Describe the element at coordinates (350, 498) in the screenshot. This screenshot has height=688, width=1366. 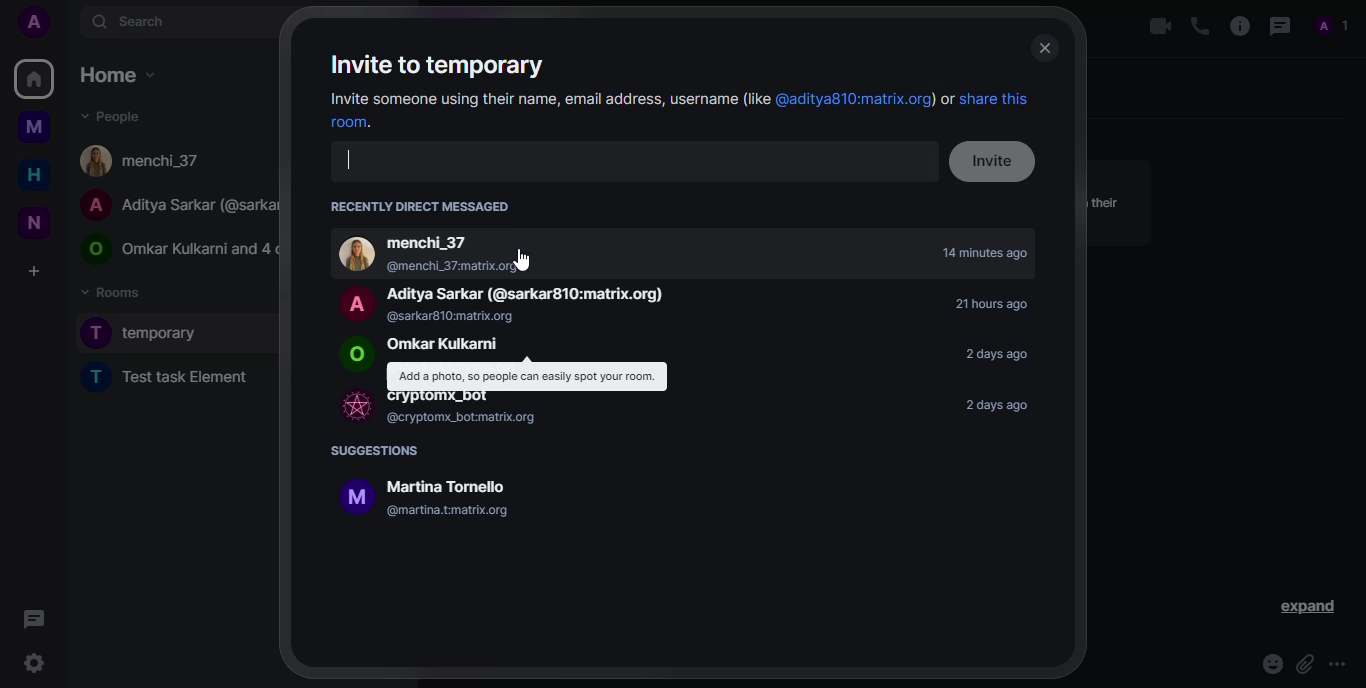
I see `Profile picture` at that location.